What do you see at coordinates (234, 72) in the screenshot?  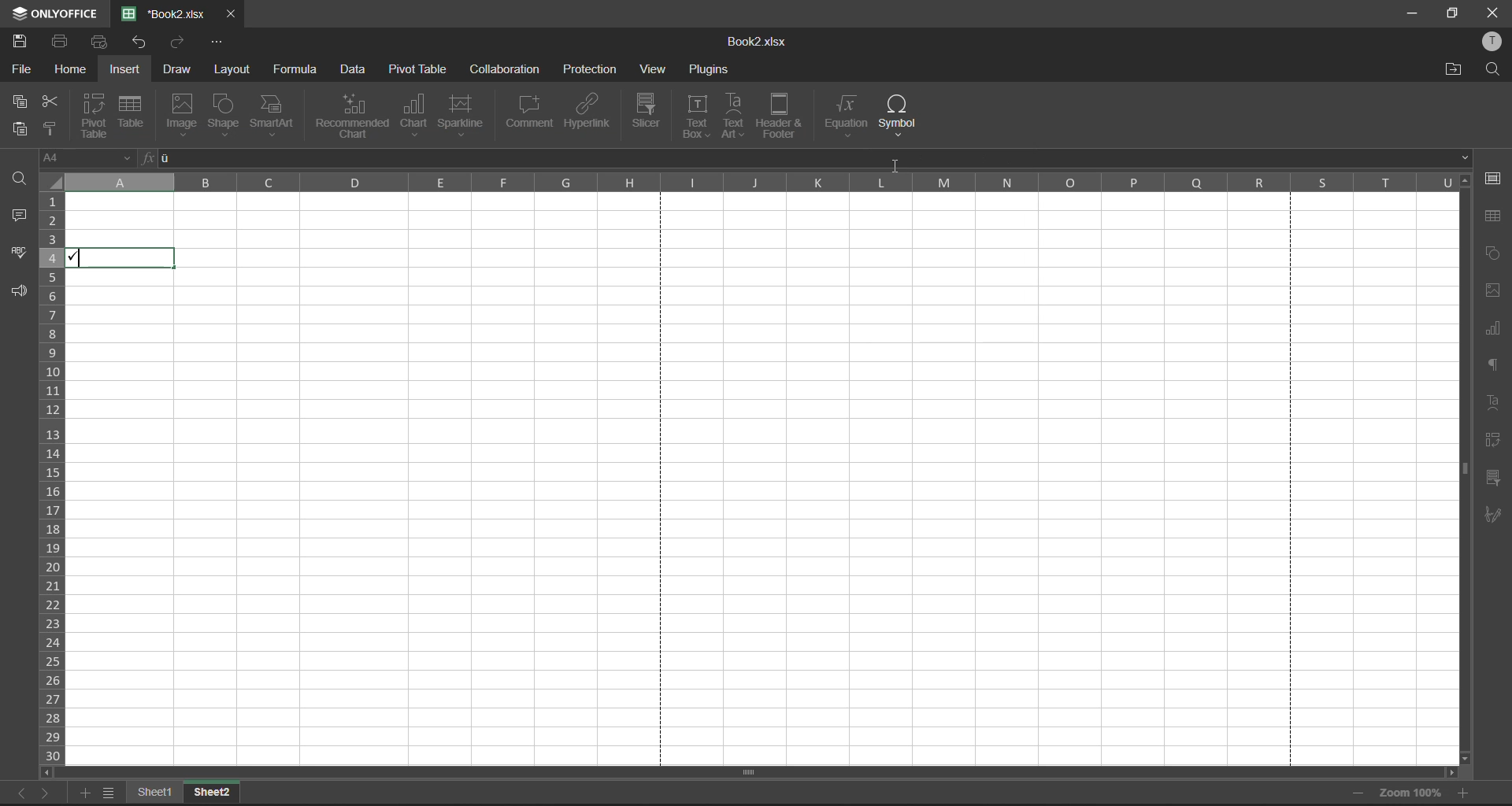 I see `layout` at bounding box center [234, 72].